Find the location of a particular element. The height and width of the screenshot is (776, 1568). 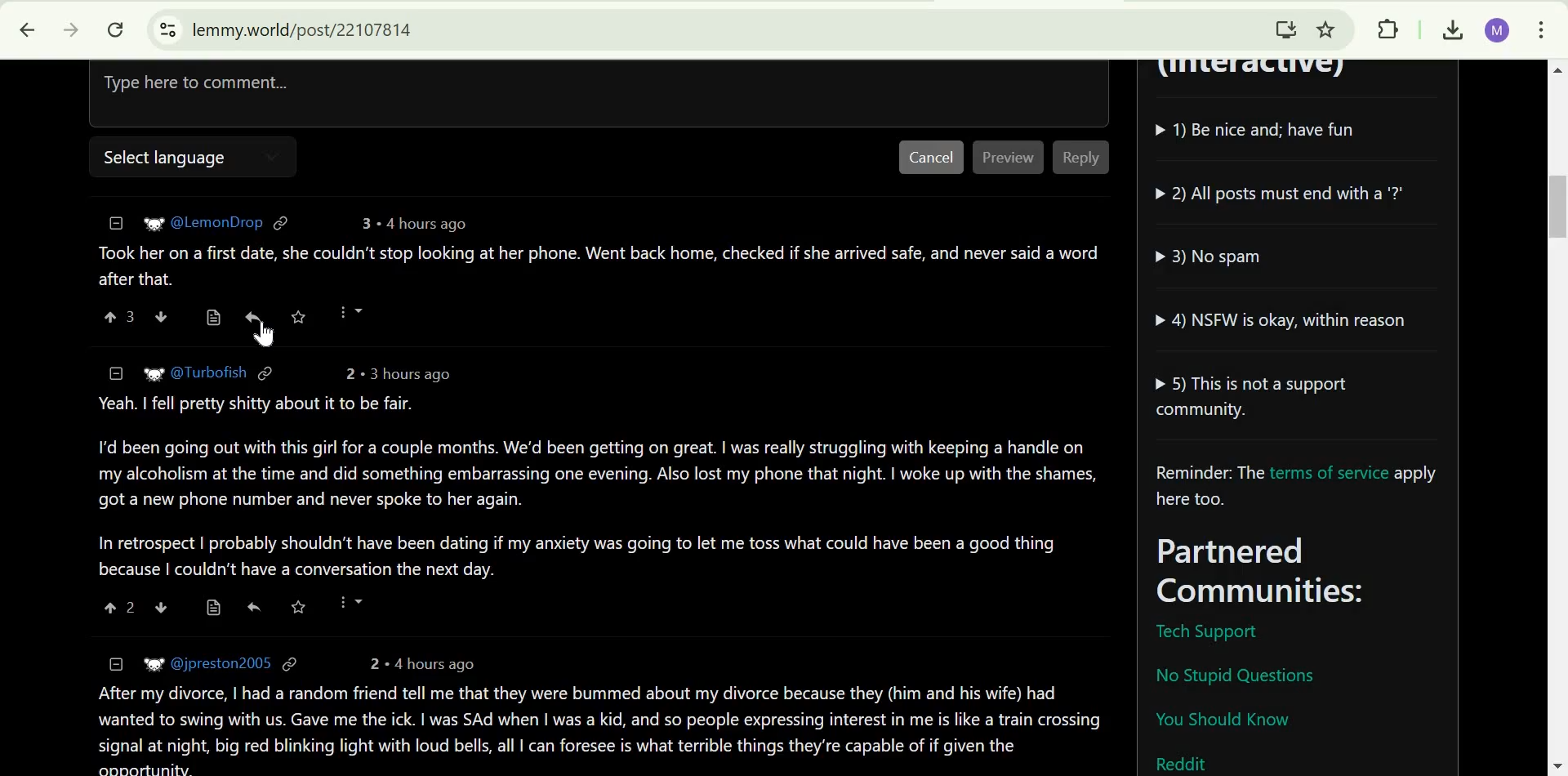

Comment is located at coordinates (604, 488).